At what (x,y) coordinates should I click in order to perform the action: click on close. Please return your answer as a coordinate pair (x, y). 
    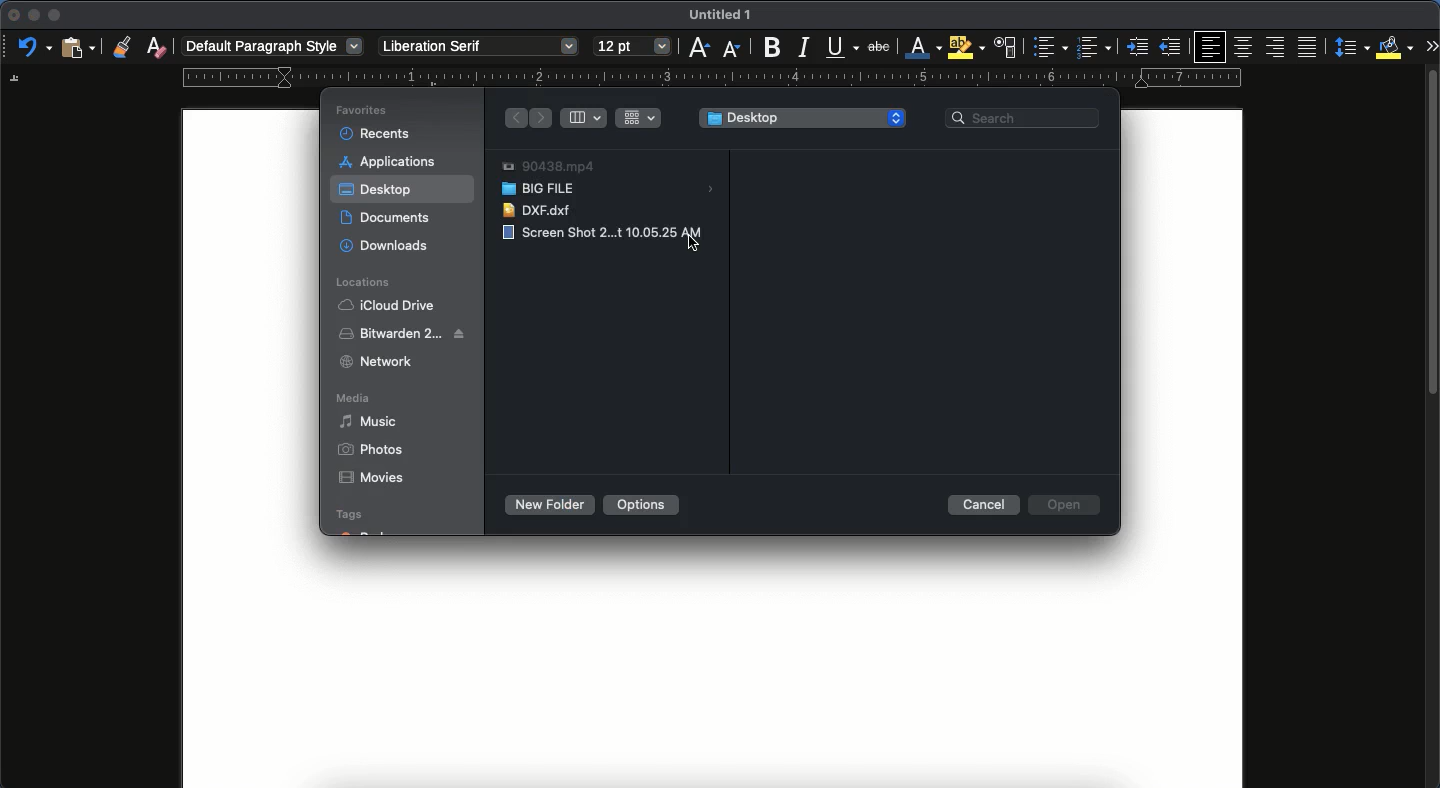
    Looking at the image, I should click on (12, 16).